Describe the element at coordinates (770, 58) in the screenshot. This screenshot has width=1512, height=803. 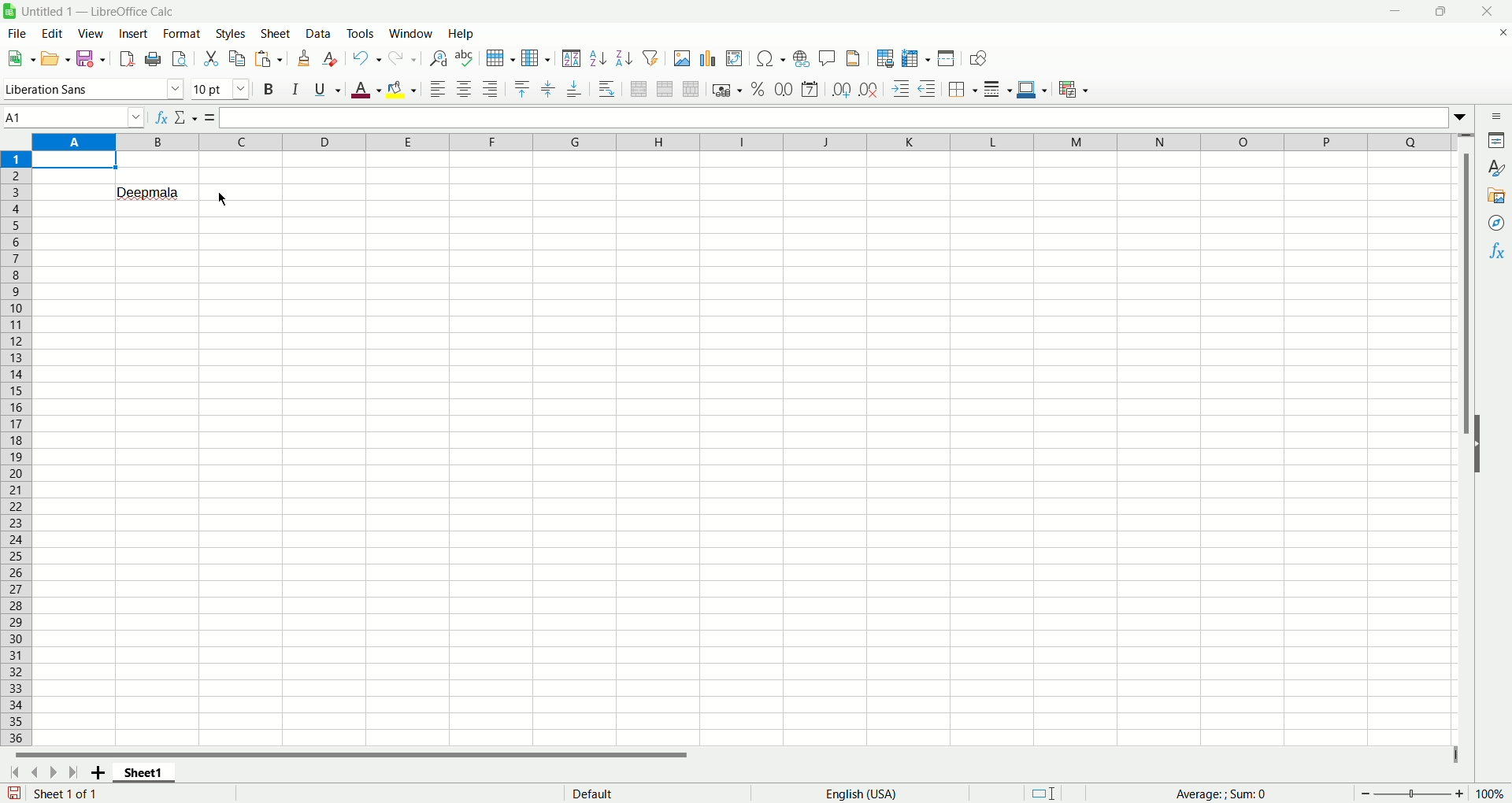
I see `Insert symbols` at that location.